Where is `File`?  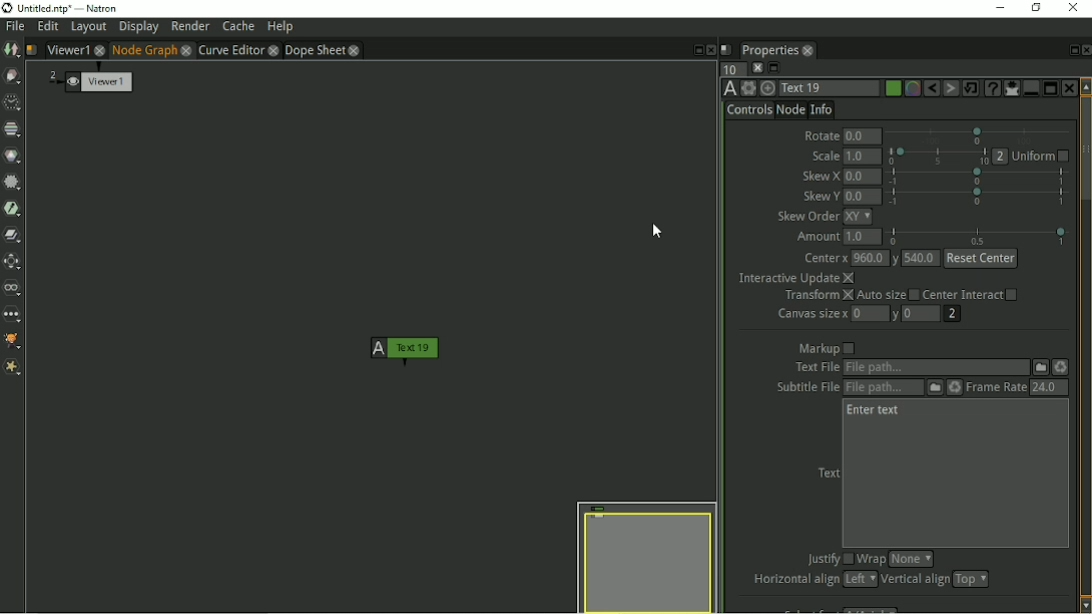 File is located at coordinates (15, 27).